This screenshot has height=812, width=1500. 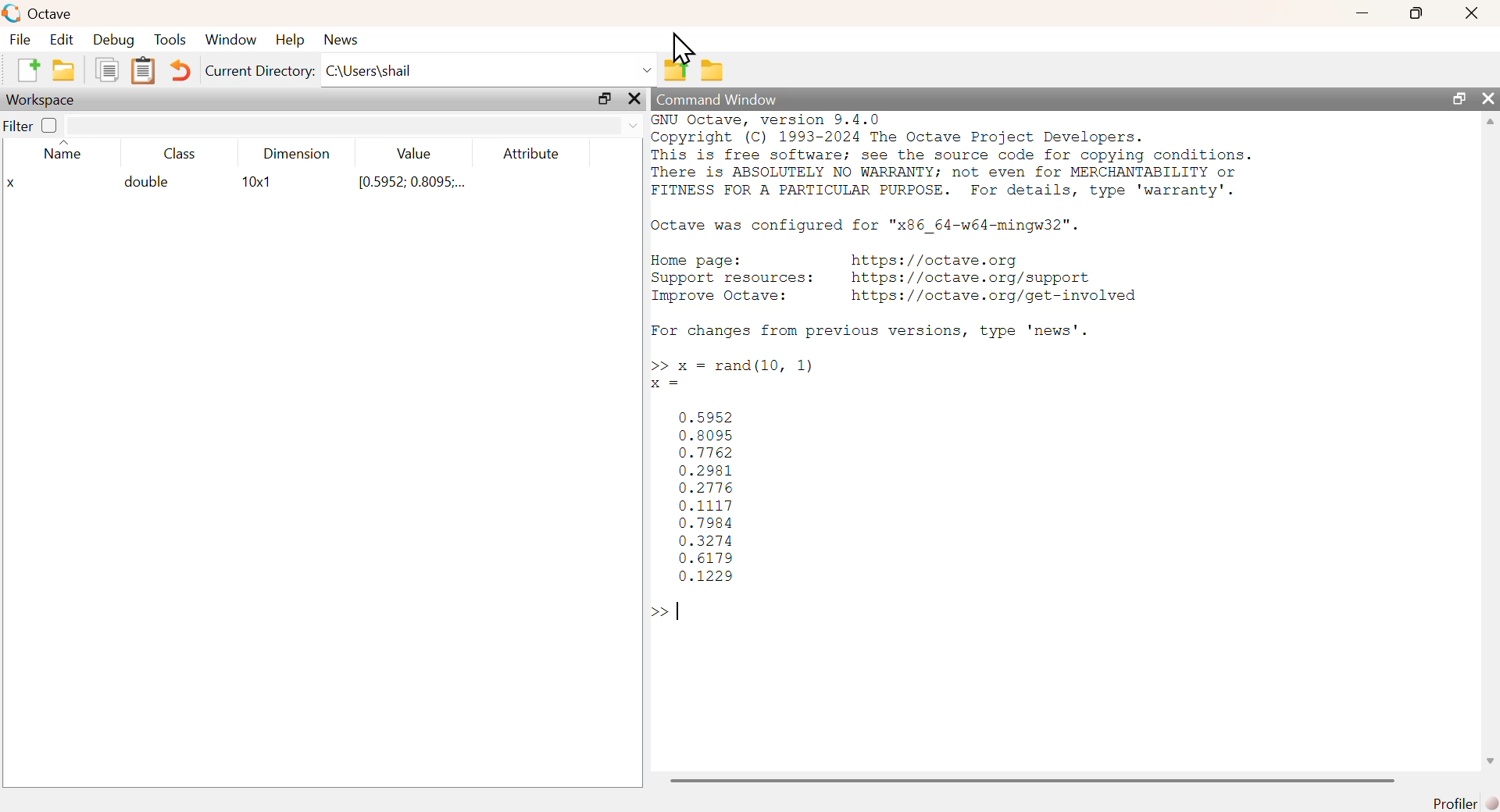 I want to click on maximize, so click(x=1415, y=13).